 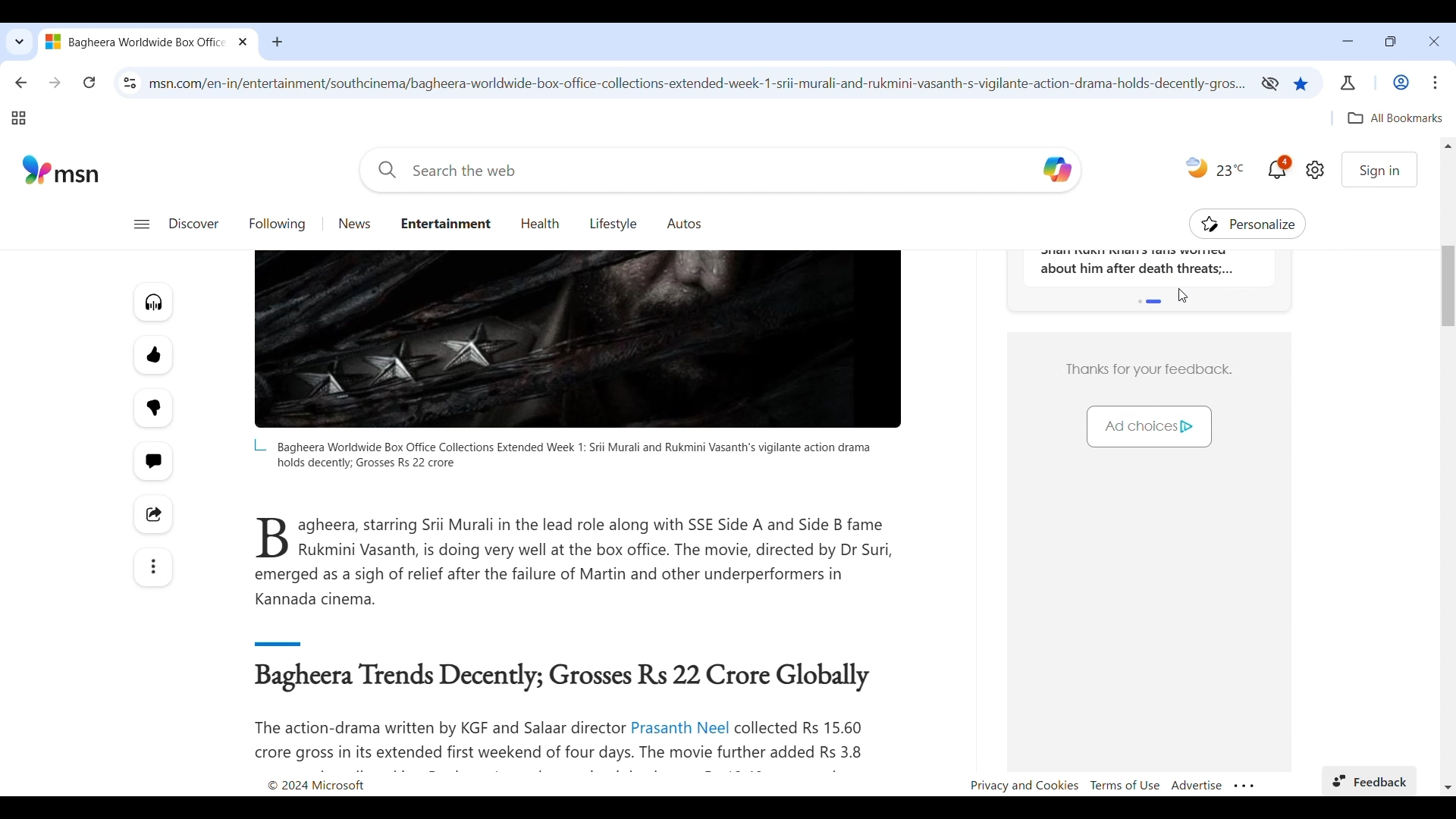 What do you see at coordinates (1149, 268) in the screenshot?
I see `Trending news section` at bounding box center [1149, 268].